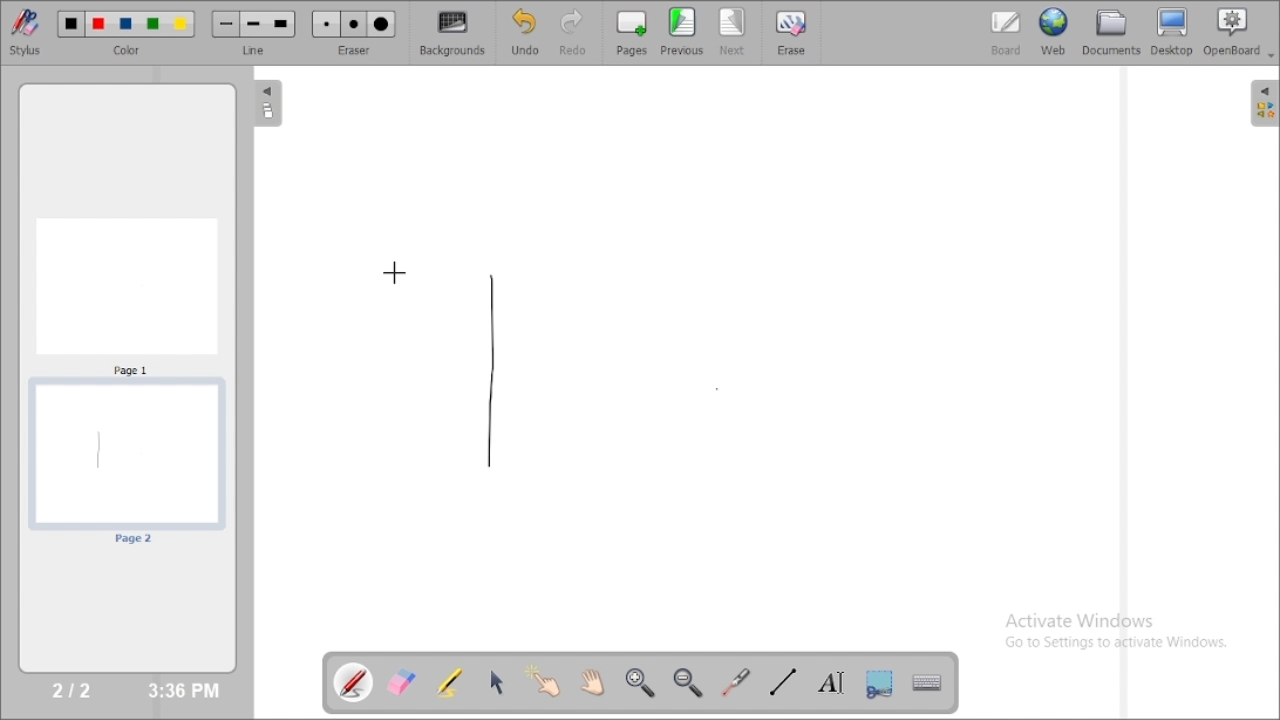  What do you see at coordinates (394, 271) in the screenshot?
I see `cursor` at bounding box center [394, 271].